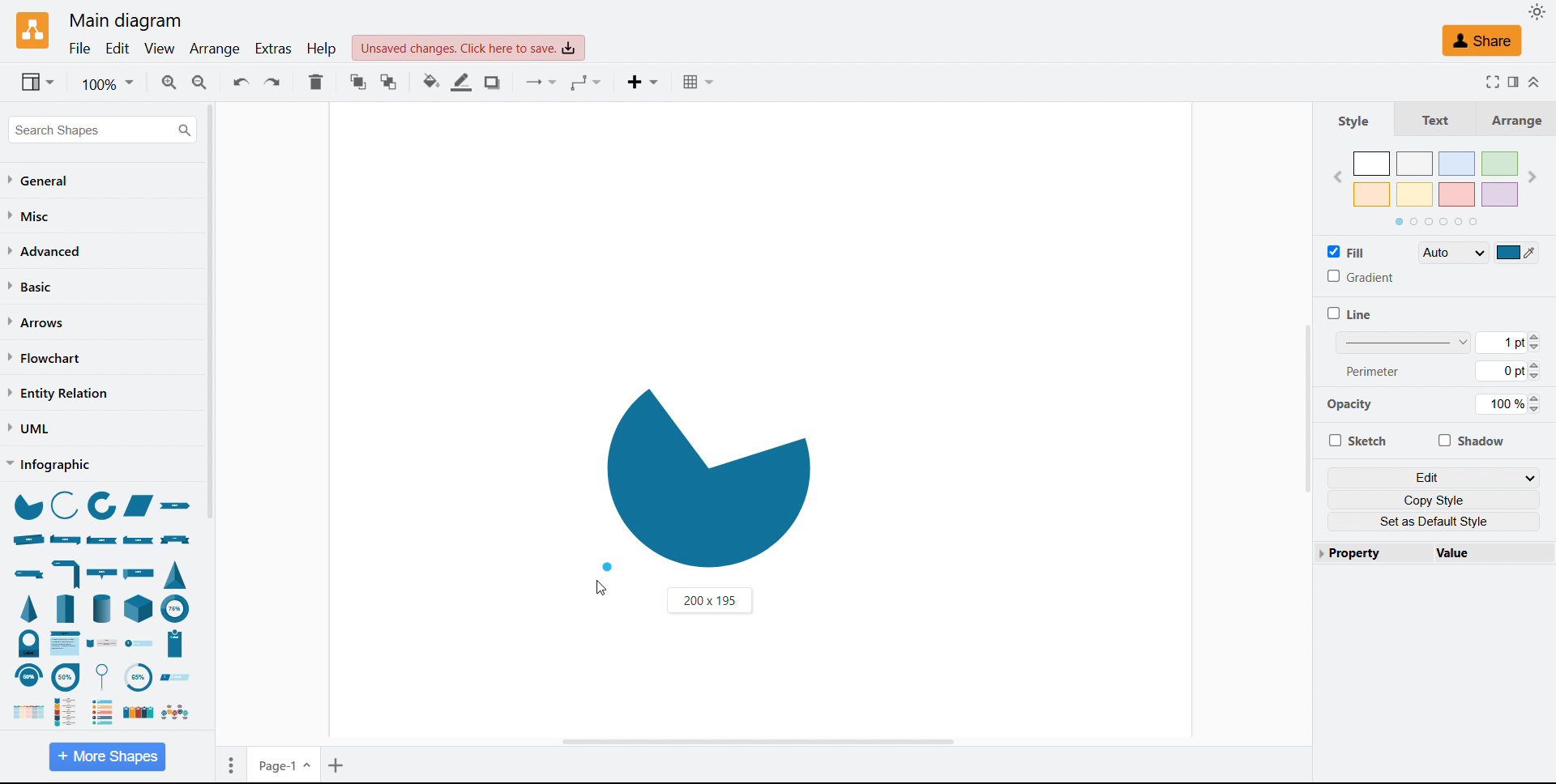 The image size is (1556, 784). I want to click on circular dial, so click(29, 643).